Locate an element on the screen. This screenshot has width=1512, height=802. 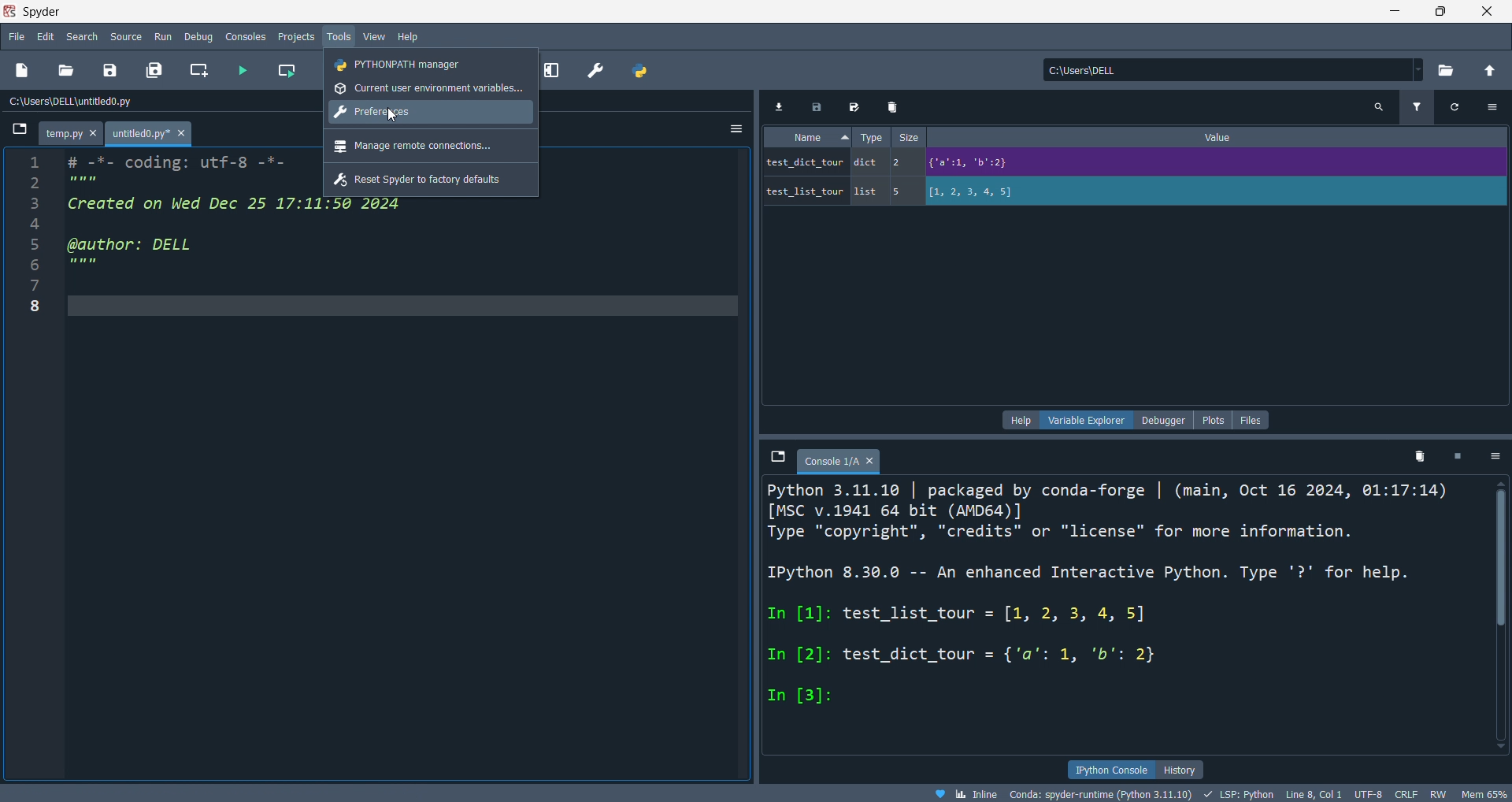
filter variables is located at coordinates (1417, 109).